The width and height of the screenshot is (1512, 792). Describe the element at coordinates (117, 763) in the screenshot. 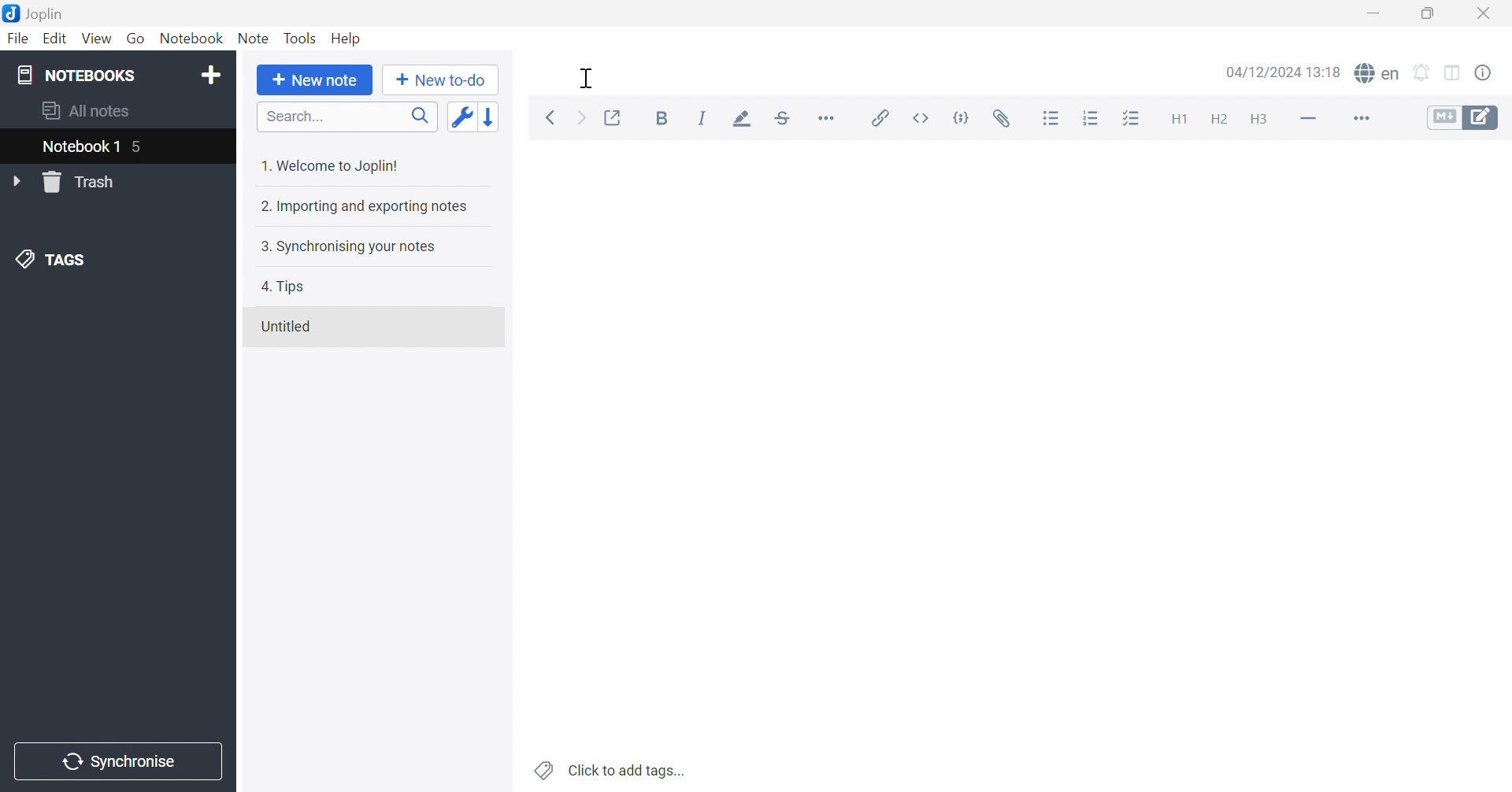

I see `Synchronise` at that location.